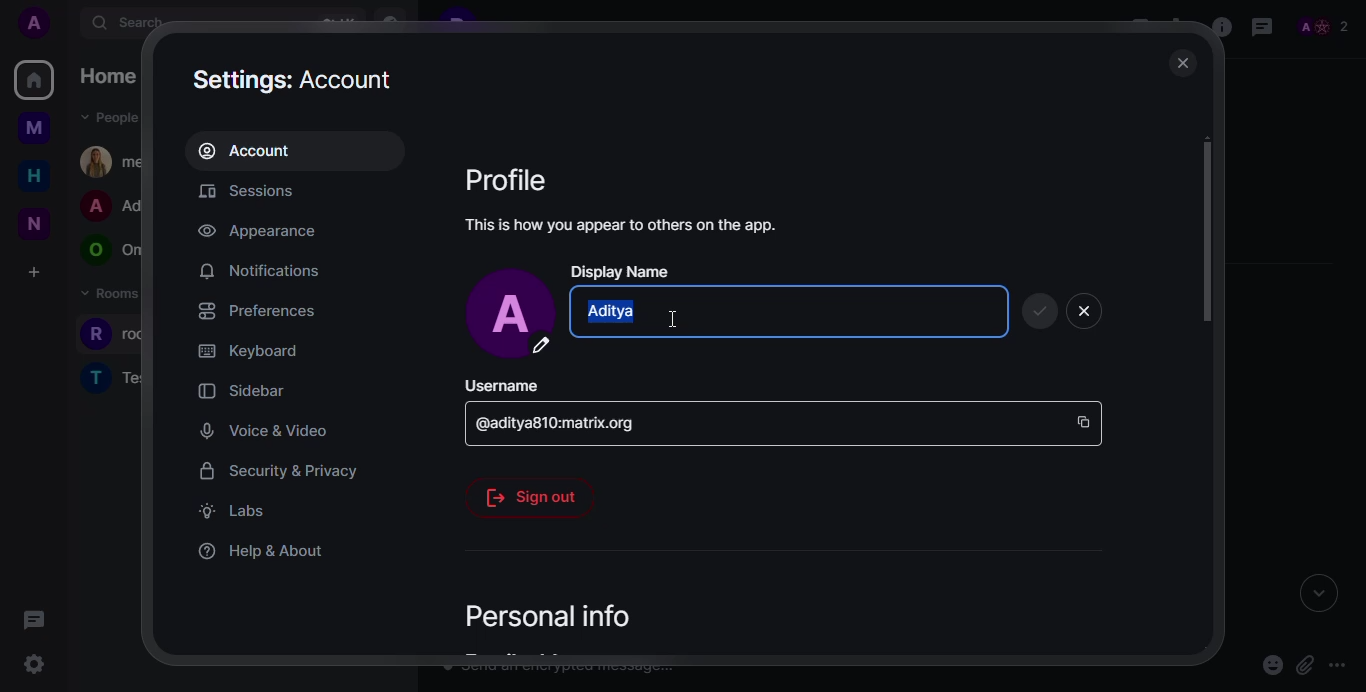 The image size is (1366, 692). What do you see at coordinates (684, 324) in the screenshot?
I see `cursor` at bounding box center [684, 324].